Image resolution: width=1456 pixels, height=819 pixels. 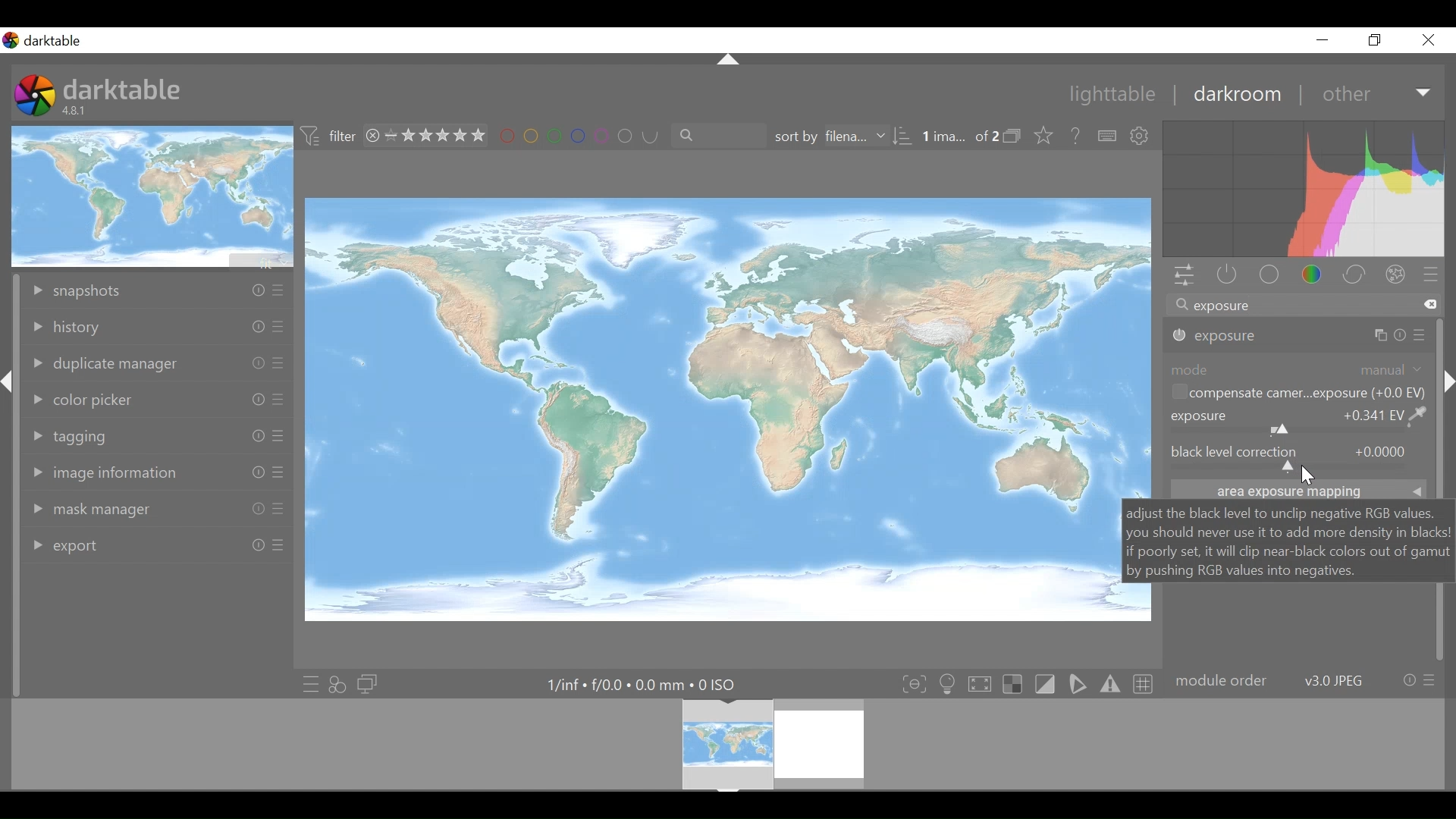 I want to click on darktable, so click(x=122, y=89).